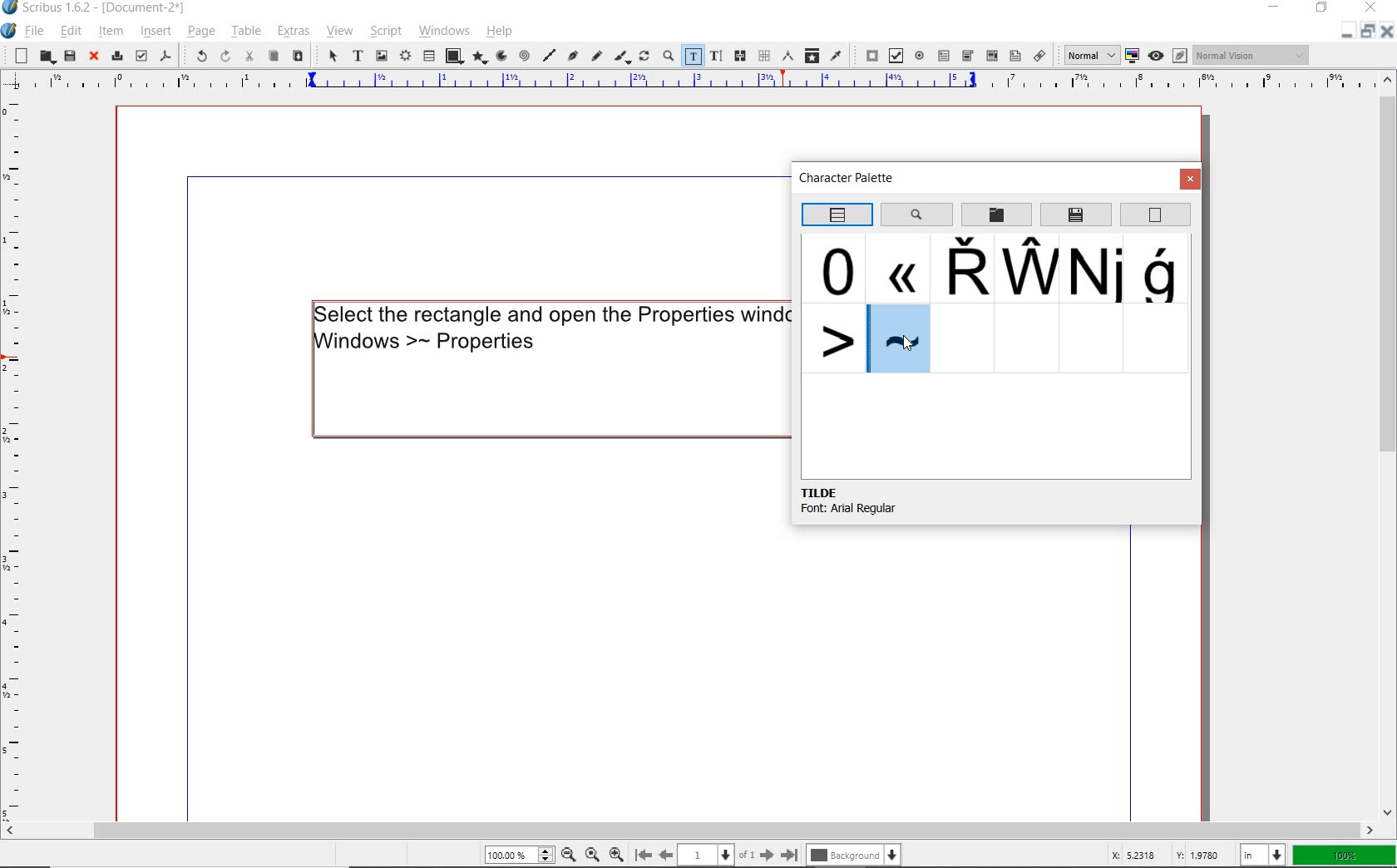 Image resolution: width=1397 pixels, height=868 pixels. Describe the element at coordinates (1370, 9) in the screenshot. I see `close` at that location.